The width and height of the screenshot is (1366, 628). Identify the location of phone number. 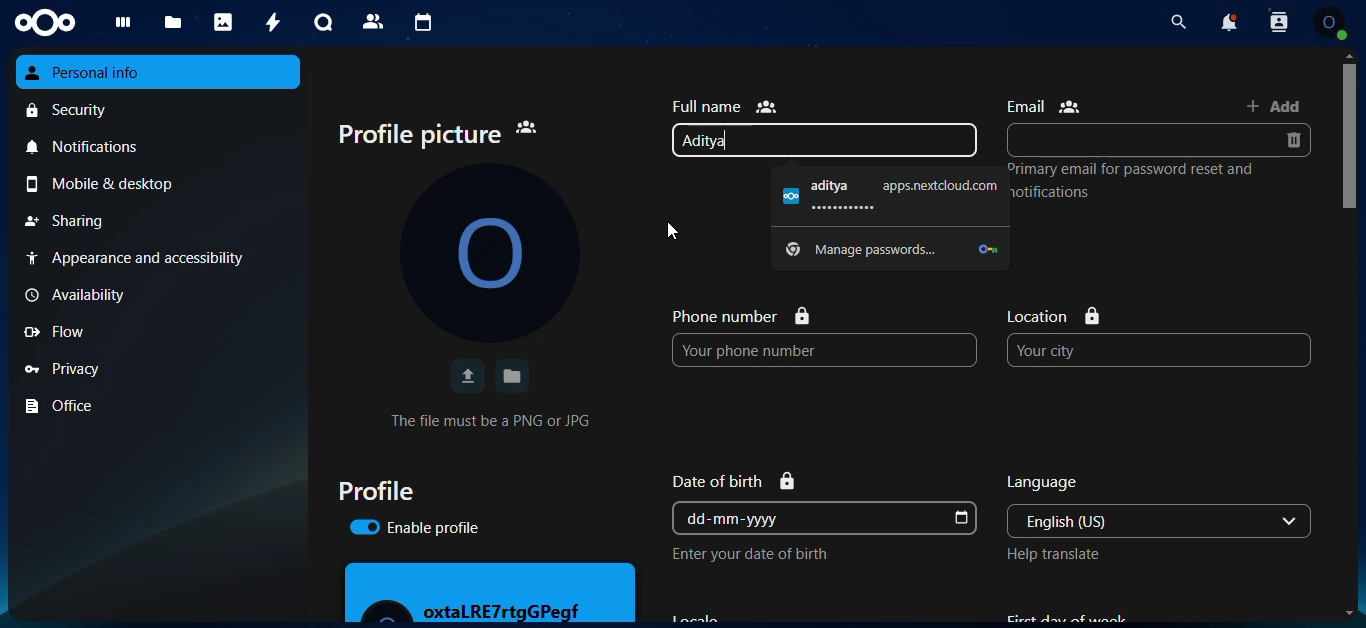
(741, 315).